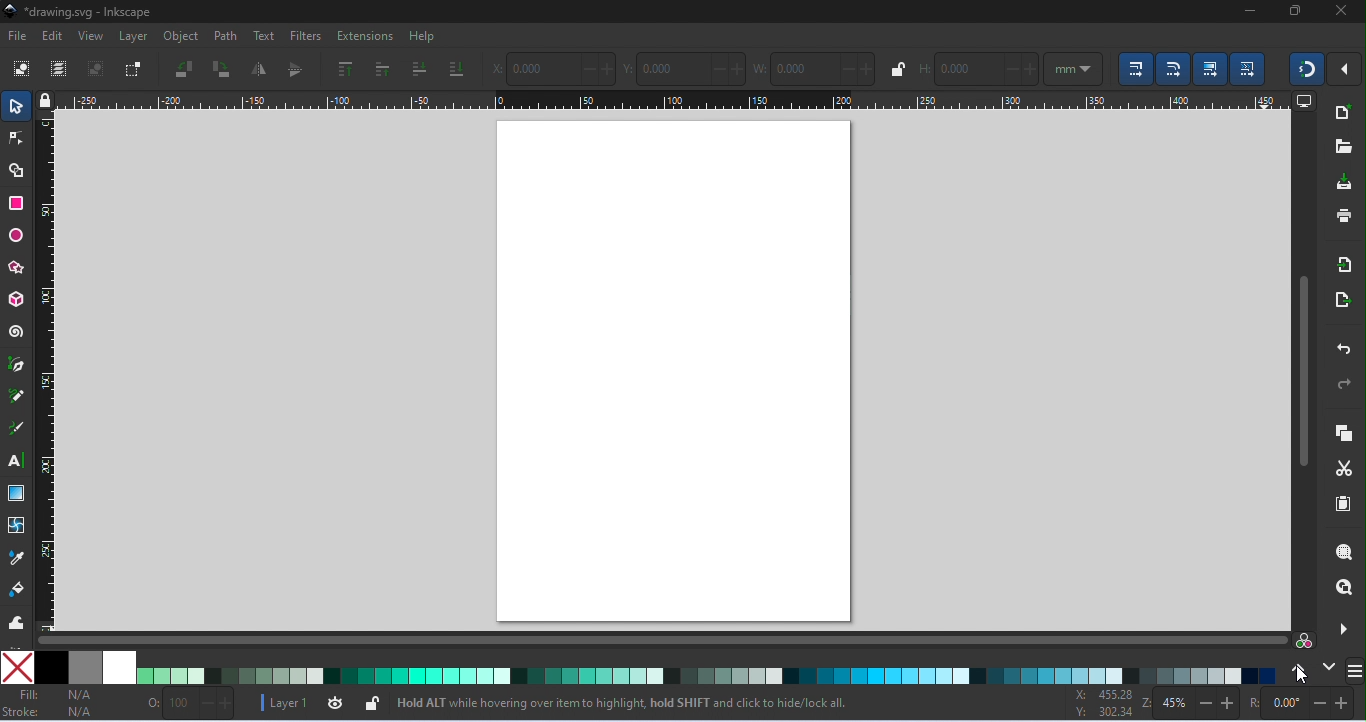  I want to click on file, so click(17, 36).